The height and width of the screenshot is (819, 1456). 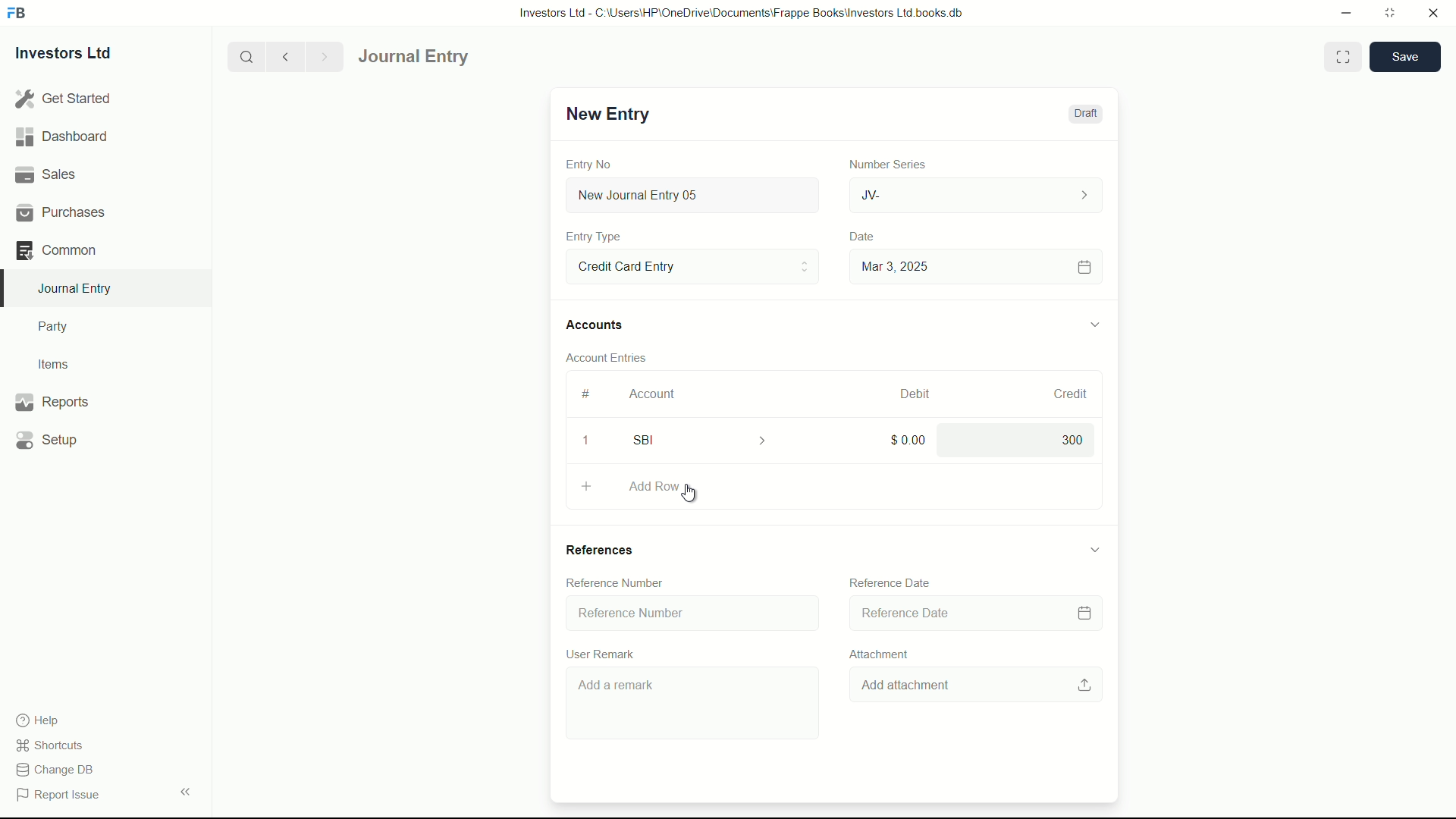 What do you see at coordinates (53, 745) in the screenshot?
I see `shortcuts` at bounding box center [53, 745].